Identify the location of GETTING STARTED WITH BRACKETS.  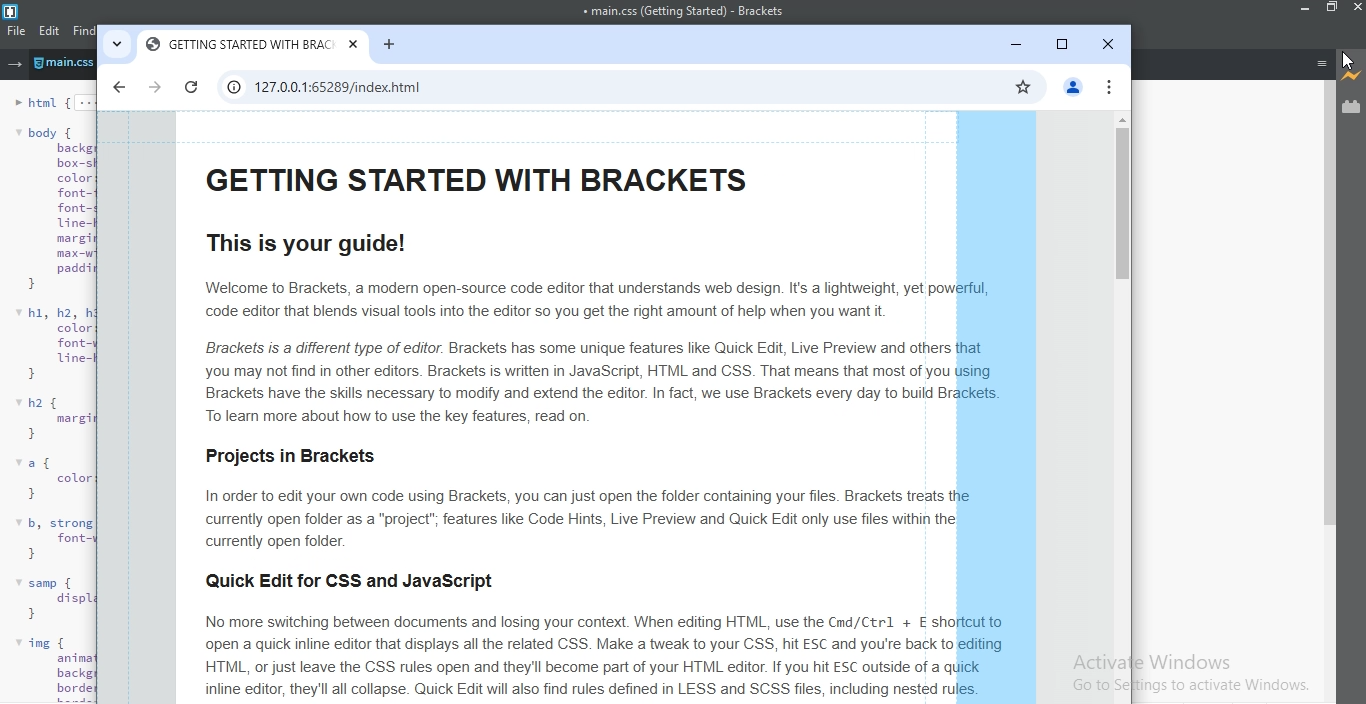
(478, 179).